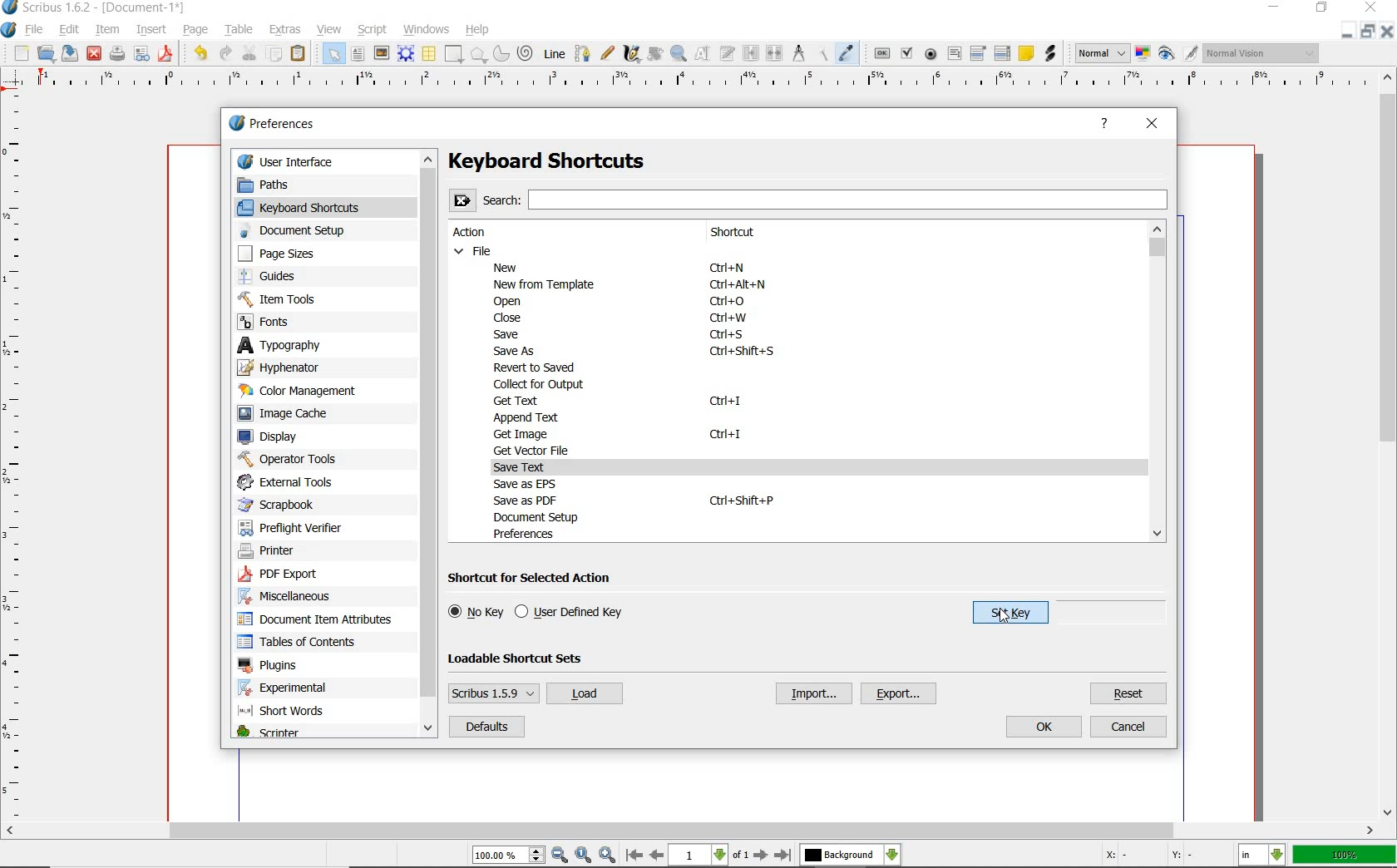  What do you see at coordinates (882, 54) in the screenshot?
I see `pdf push button` at bounding box center [882, 54].